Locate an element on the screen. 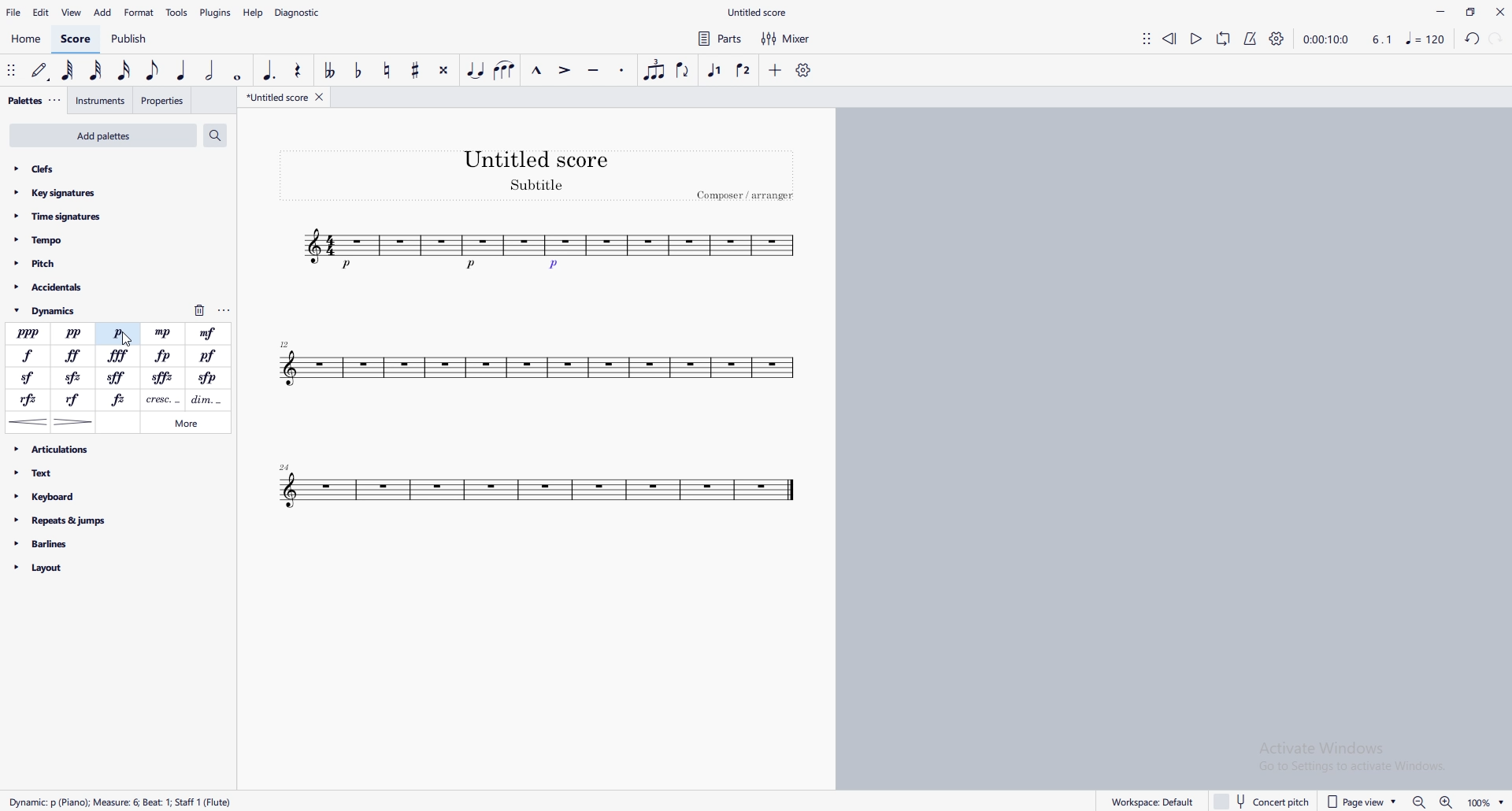 This screenshot has height=811, width=1512. key signatures is located at coordinates (102, 192).